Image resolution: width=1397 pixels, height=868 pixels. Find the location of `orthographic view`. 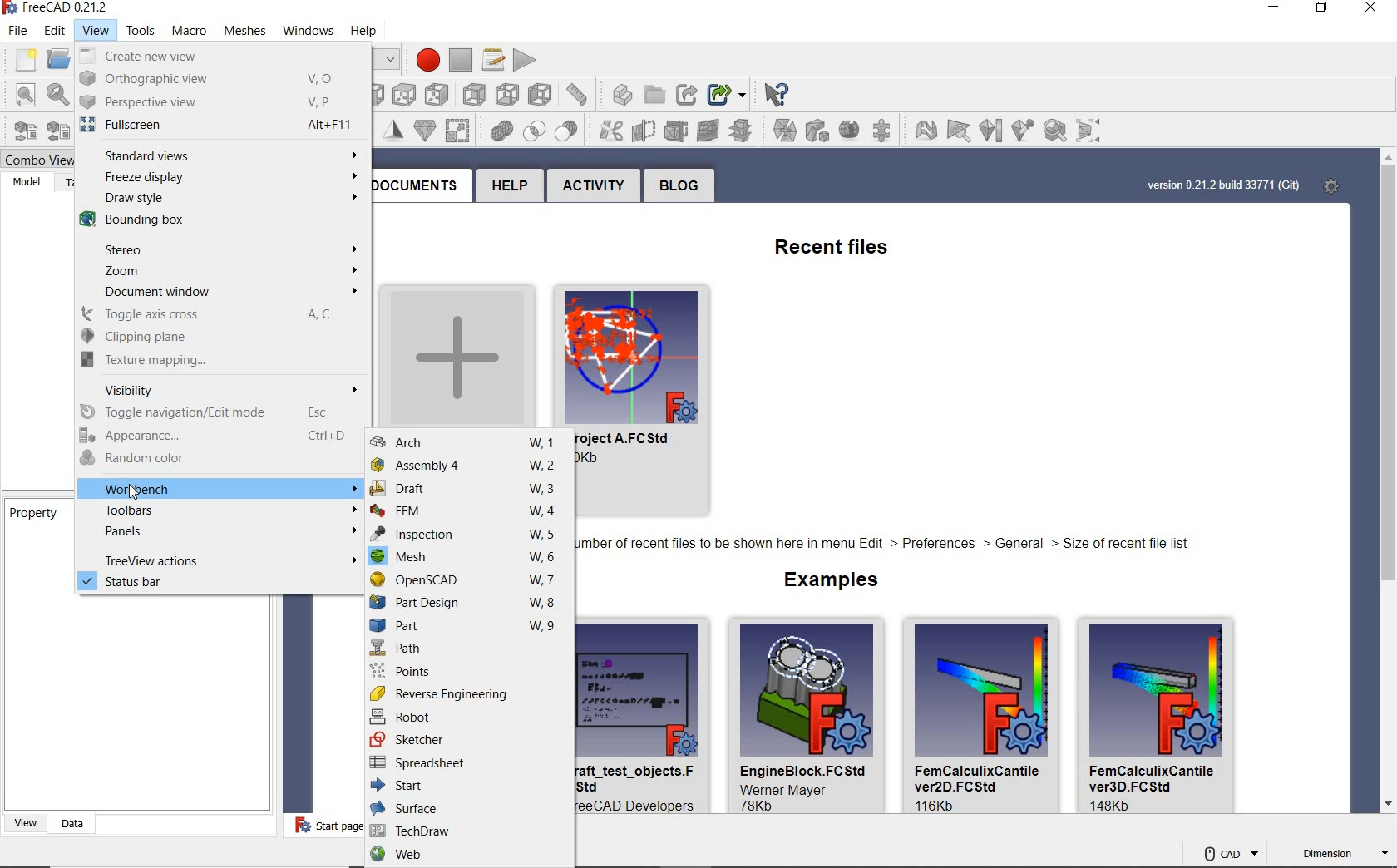

orthographic view is located at coordinates (215, 79).